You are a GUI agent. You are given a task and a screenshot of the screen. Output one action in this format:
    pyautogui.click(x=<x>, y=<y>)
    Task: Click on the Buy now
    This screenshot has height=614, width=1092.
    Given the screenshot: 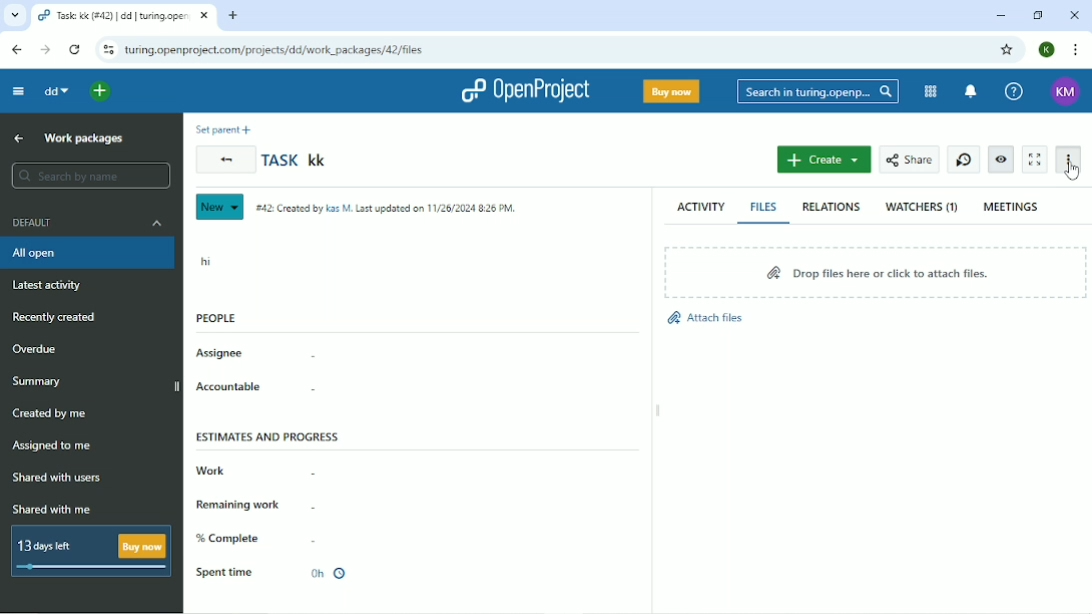 What is the action you would take?
    pyautogui.click(x=671, y=91)
    